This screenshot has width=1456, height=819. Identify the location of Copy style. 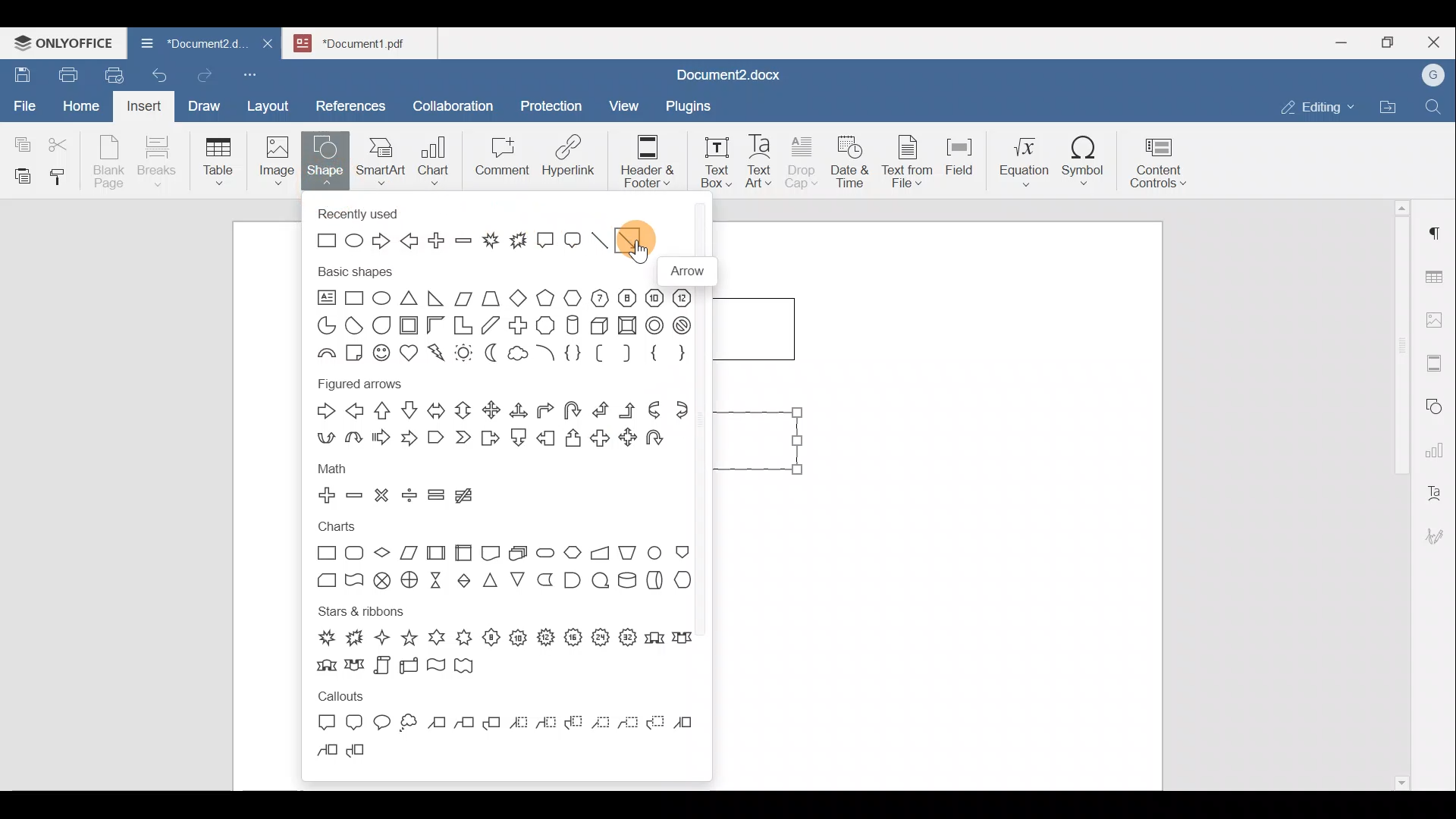
(63, 173).